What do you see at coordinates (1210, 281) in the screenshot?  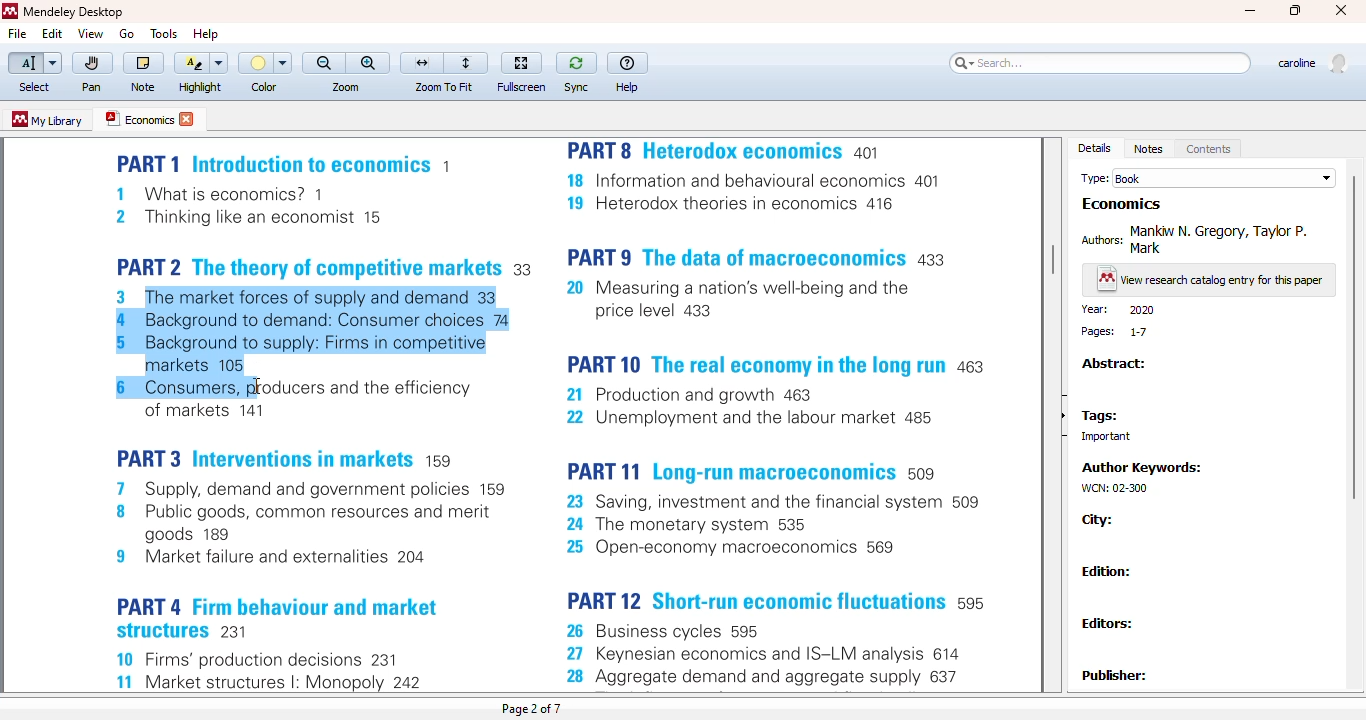 I see `view research catalog entry for this paper` at bounding box center [1210, 281].